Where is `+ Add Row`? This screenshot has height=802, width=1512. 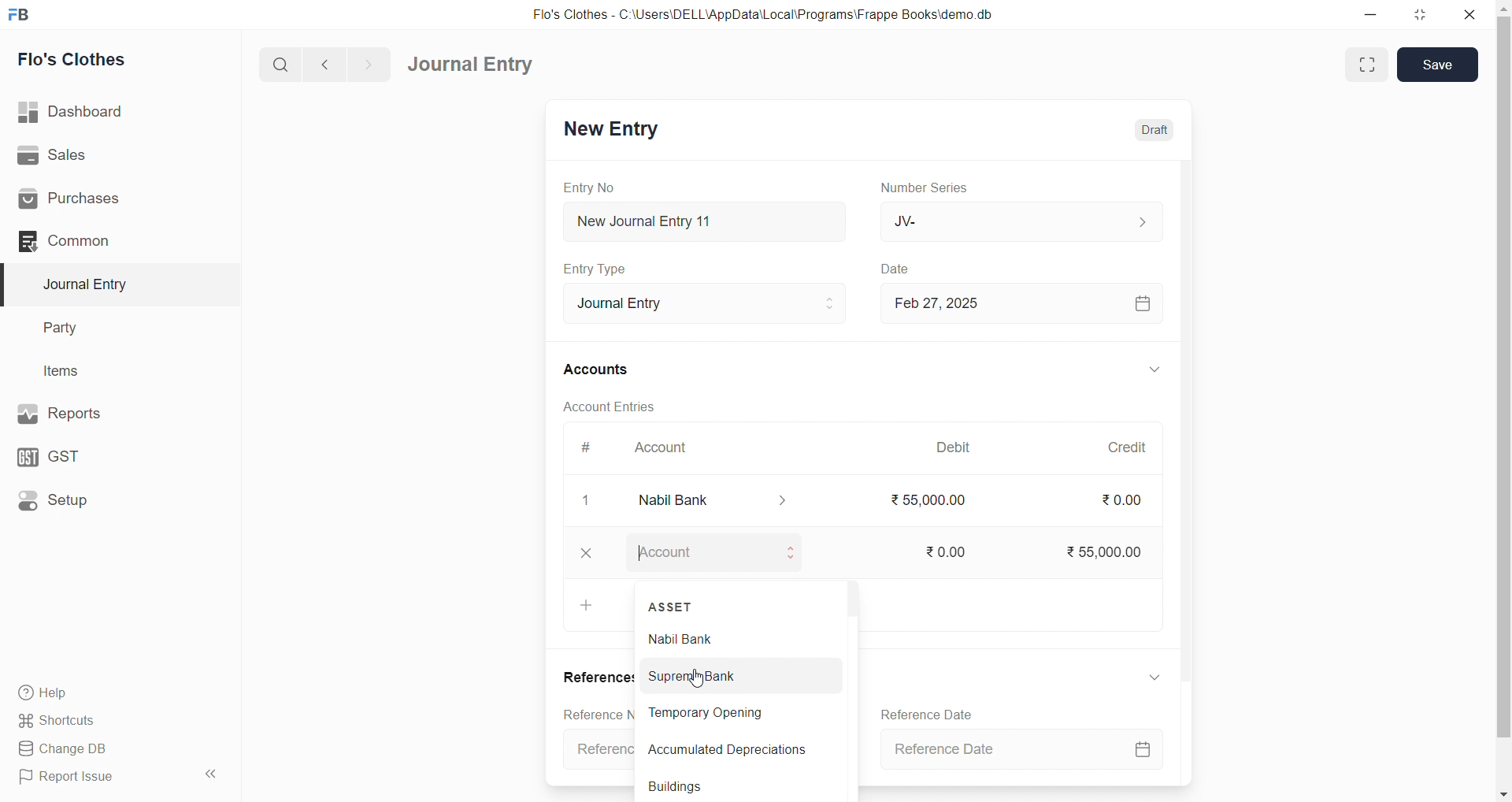 + Add Row is located at coordinates (590, 604).